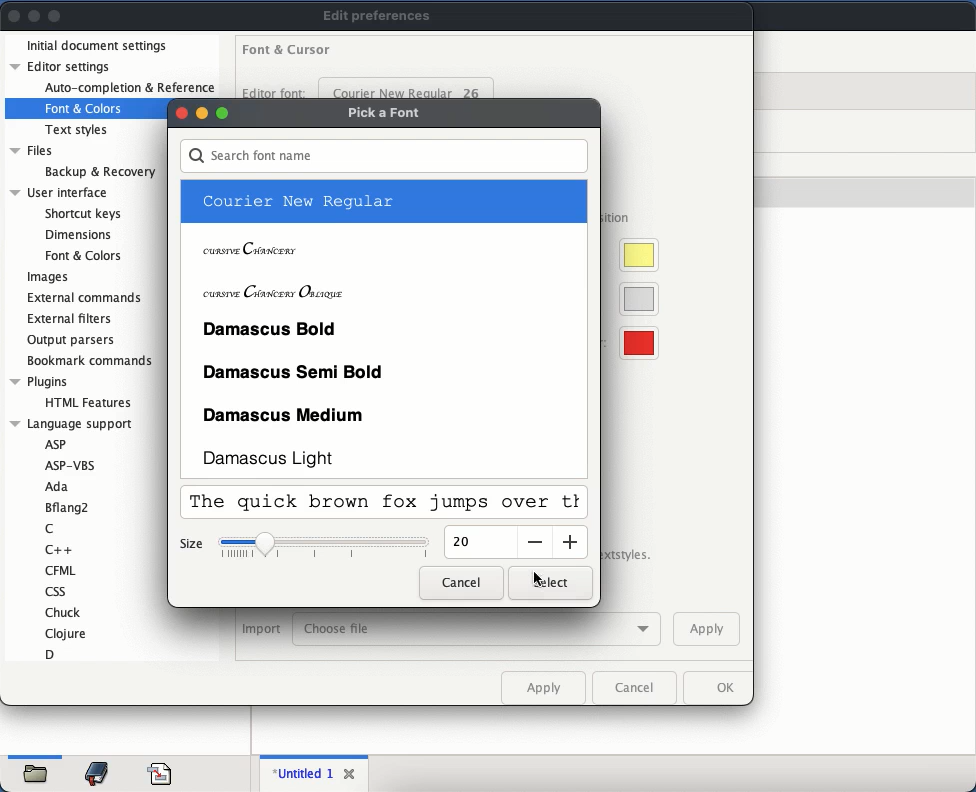  What do you see at coordinates (286, 52) in the screenshot?
I see `font and cursor` at bounding box center [286, 52].